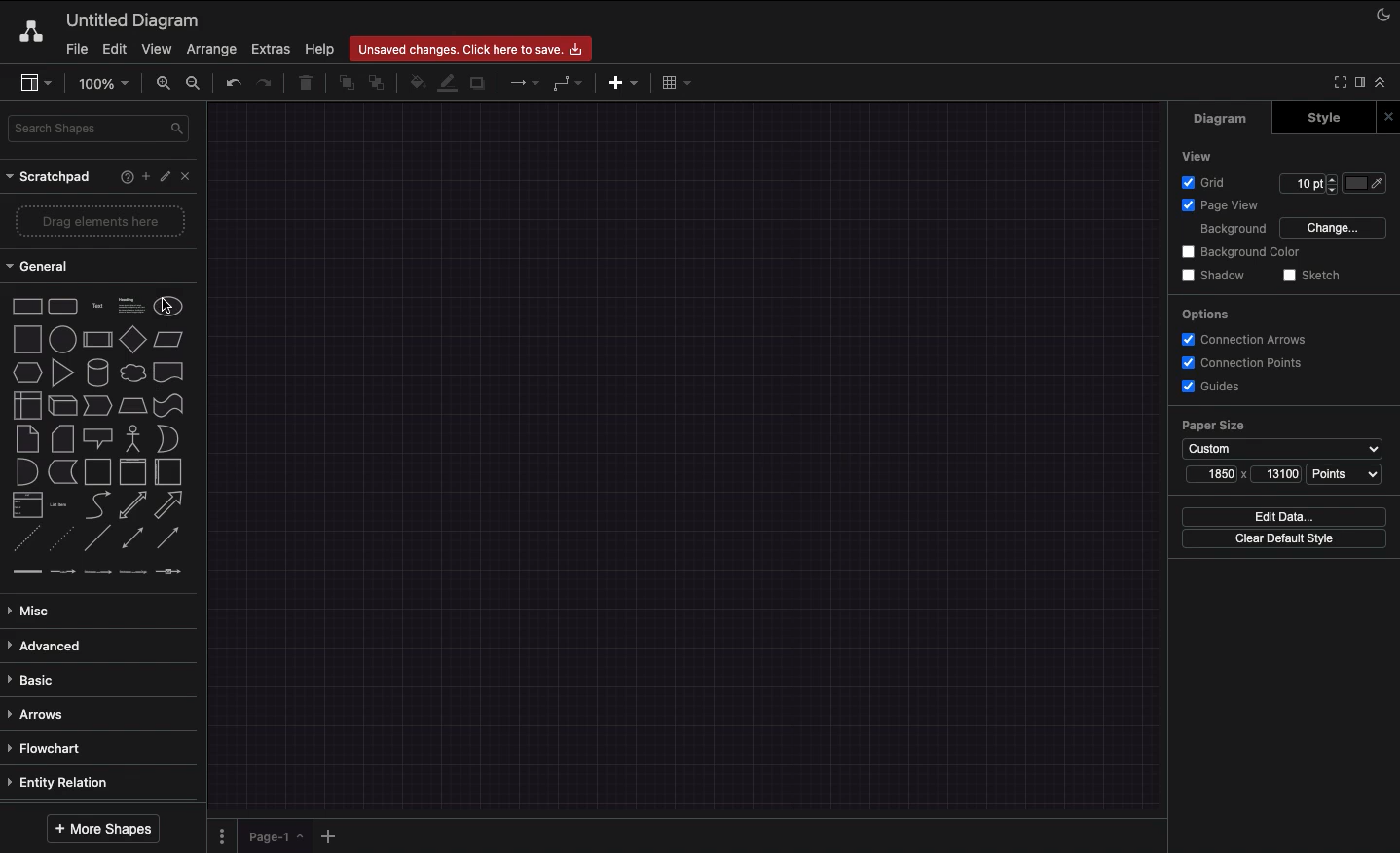 This screenshot has height=853, width=1400. Describe the element at coordinates (1243, 362) in the screenshot. I see `Connection points` at that location.